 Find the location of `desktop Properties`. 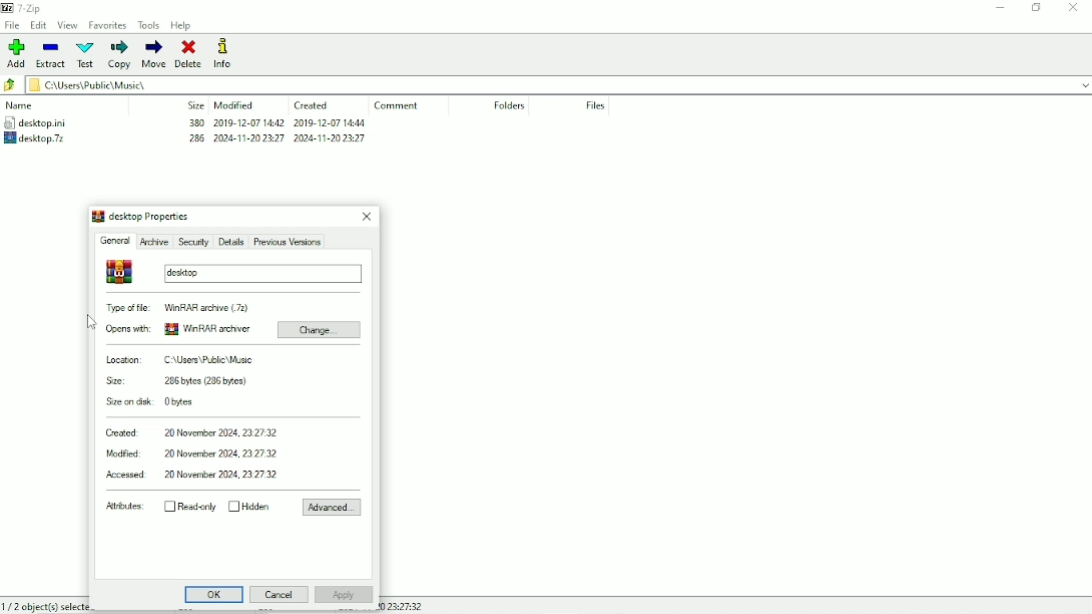

desktop Properties is located at coordinates (140, 216).